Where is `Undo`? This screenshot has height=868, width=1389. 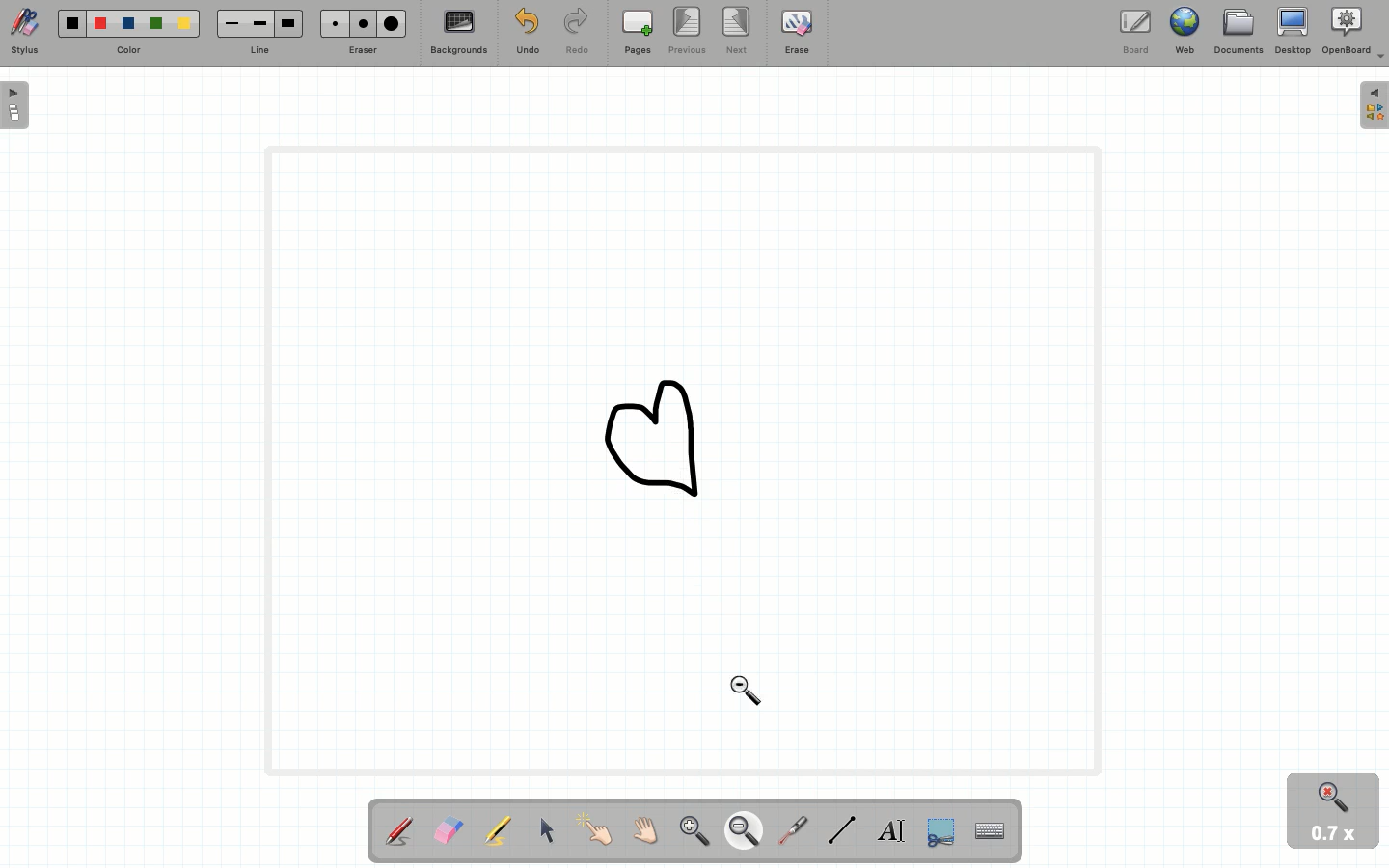
Undo is located at coordinates (528, 33).